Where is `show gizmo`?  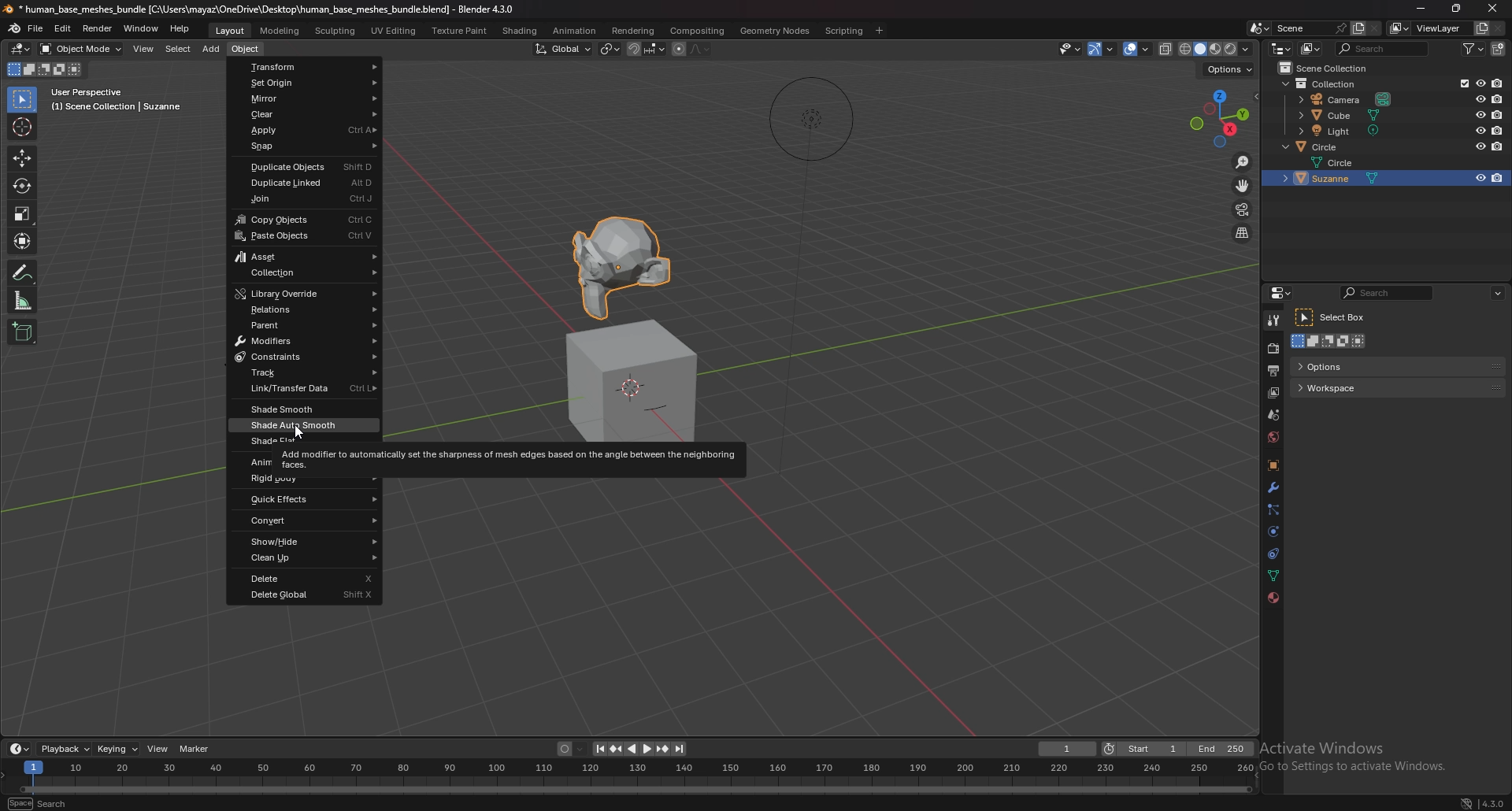
show gizmo is located at coordinates (1102, 49).